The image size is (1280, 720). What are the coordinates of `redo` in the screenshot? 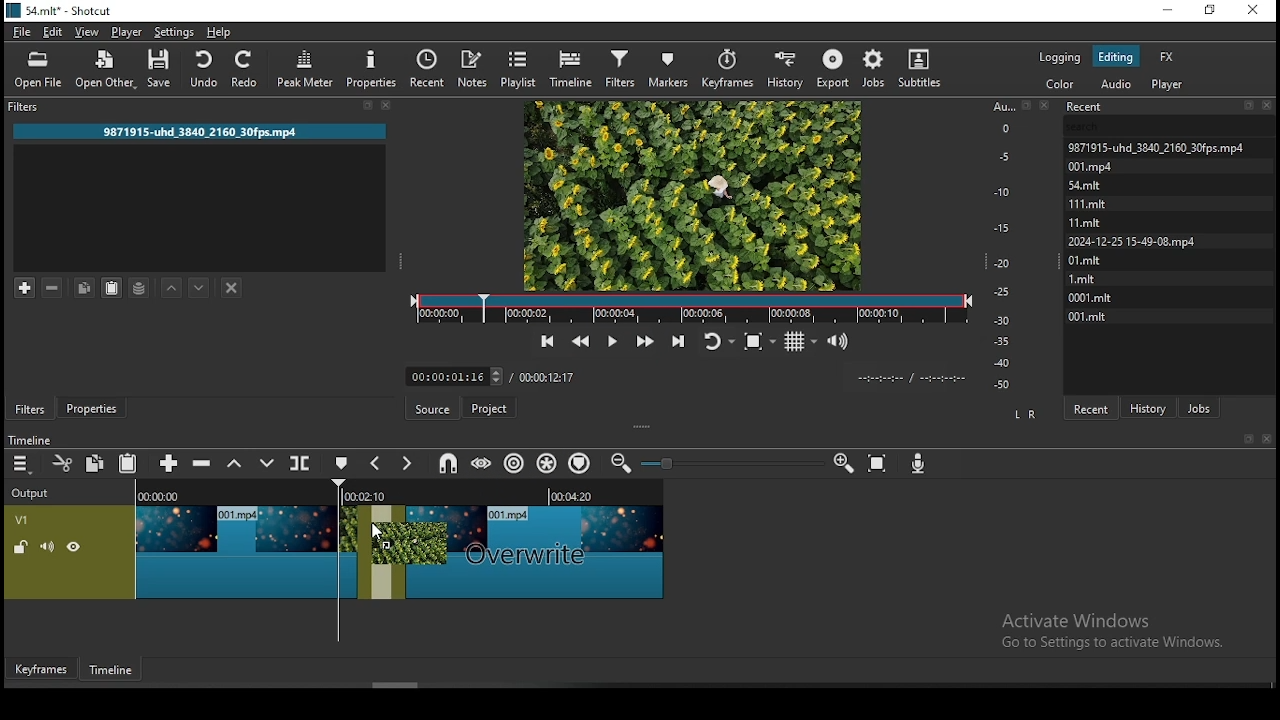 It's located at (245, 68).